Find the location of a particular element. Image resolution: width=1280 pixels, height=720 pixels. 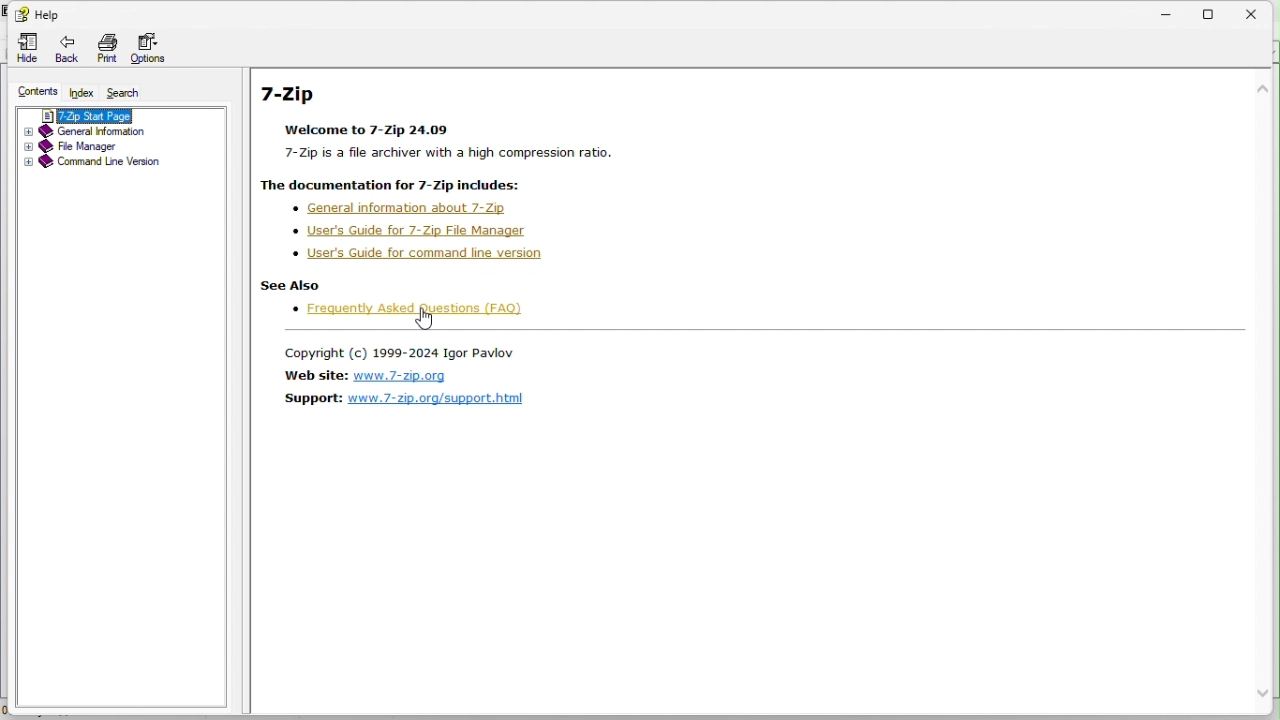

user's guide for command line version is located at coordinates (421, 254).